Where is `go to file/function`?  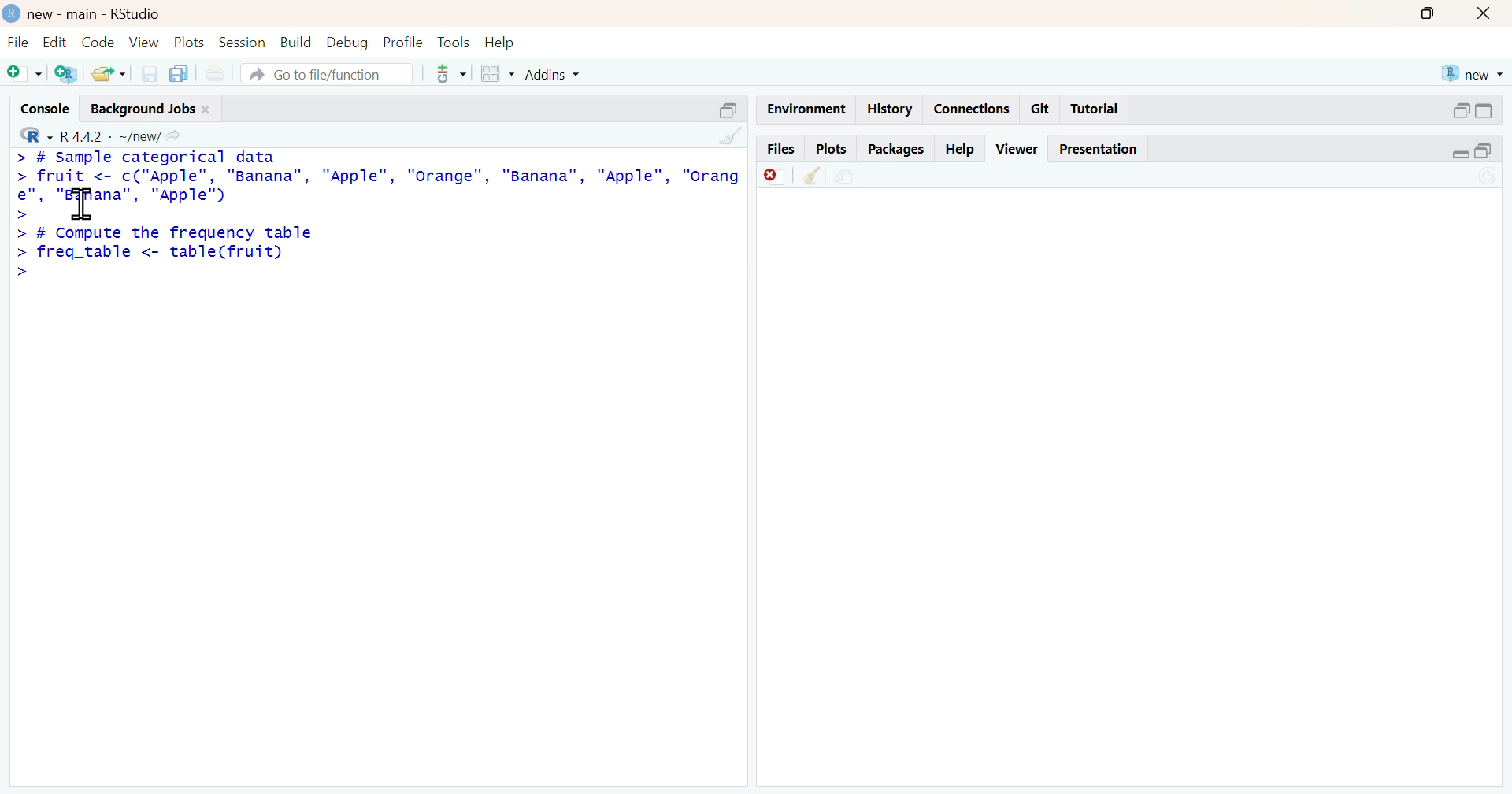
go to file/function is located at coordinates (327, 74).